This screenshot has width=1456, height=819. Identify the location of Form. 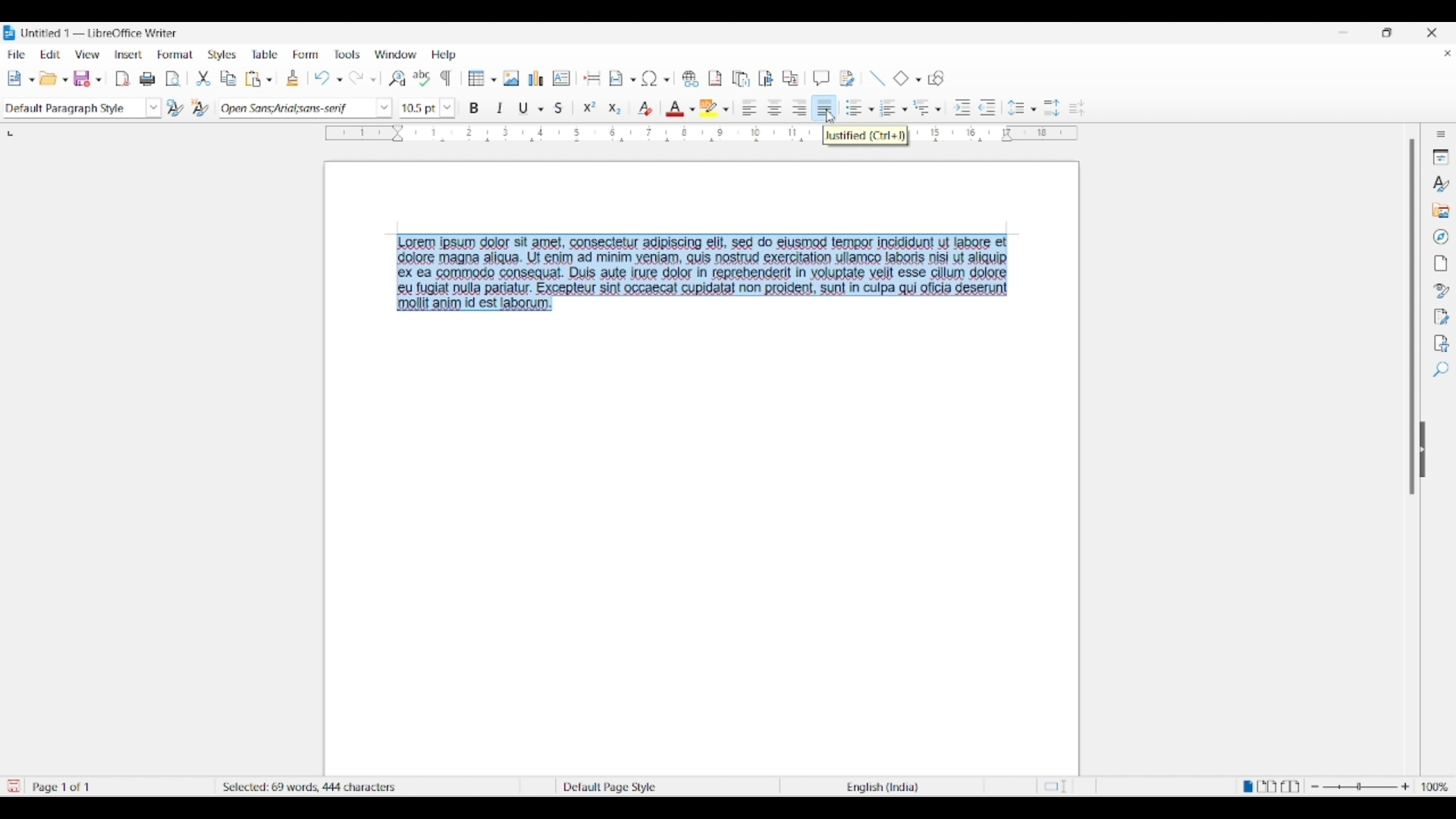
(305, 54).